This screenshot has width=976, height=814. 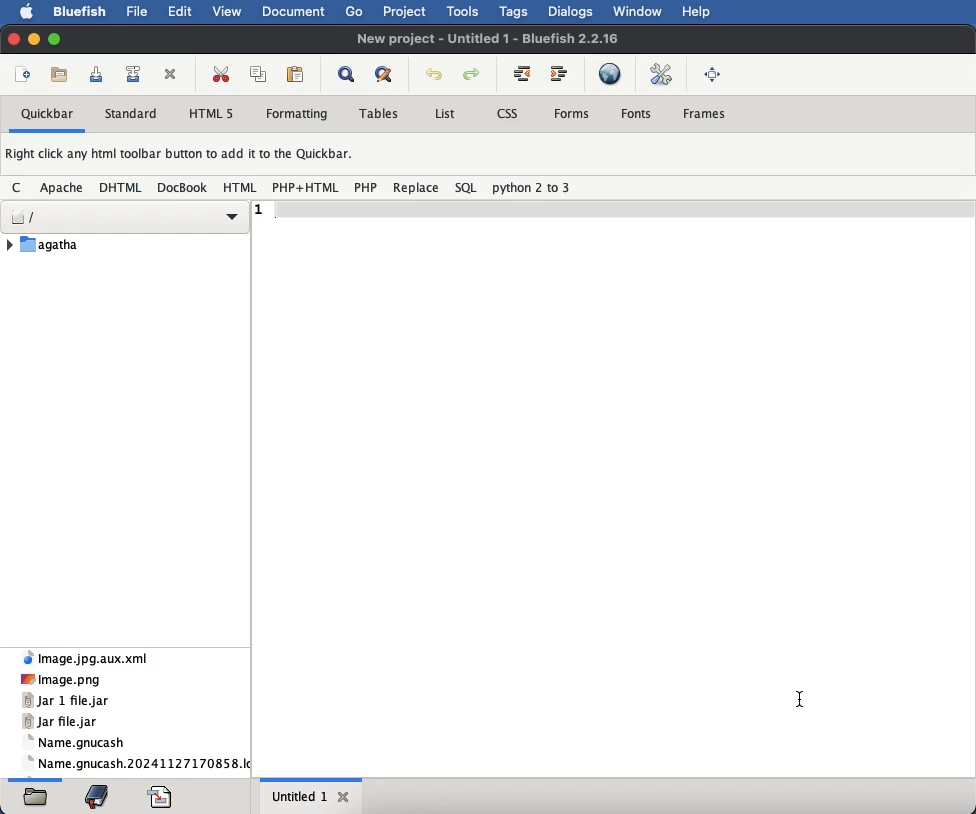 I want to click on fonts, so click(x=638, y=114).